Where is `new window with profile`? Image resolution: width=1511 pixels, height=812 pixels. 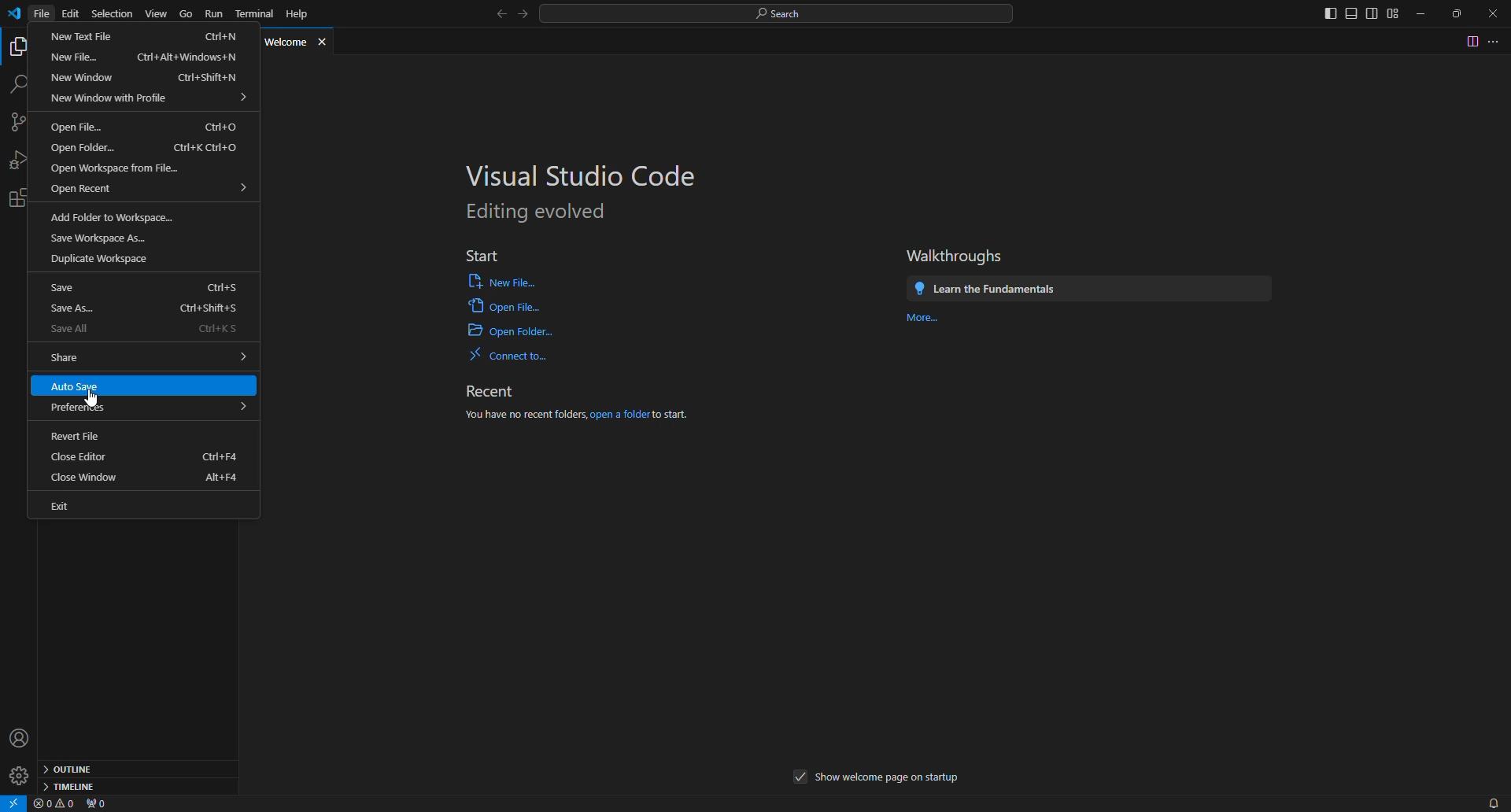
new window with profile is located at coordinates (107, 98).